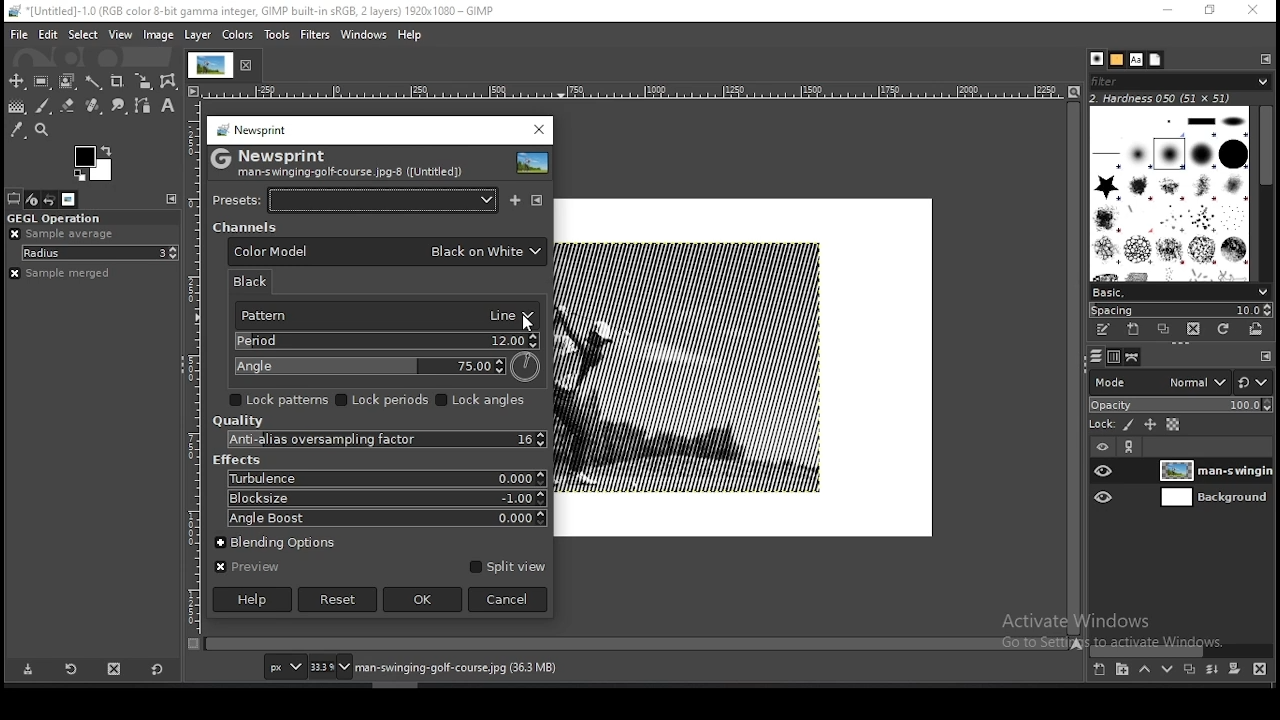 This screenshot has width=1280, height=720. What do you see at coordinates (252, 129) in the screenshot?
I see `news print` at bounding box center [252, 129].